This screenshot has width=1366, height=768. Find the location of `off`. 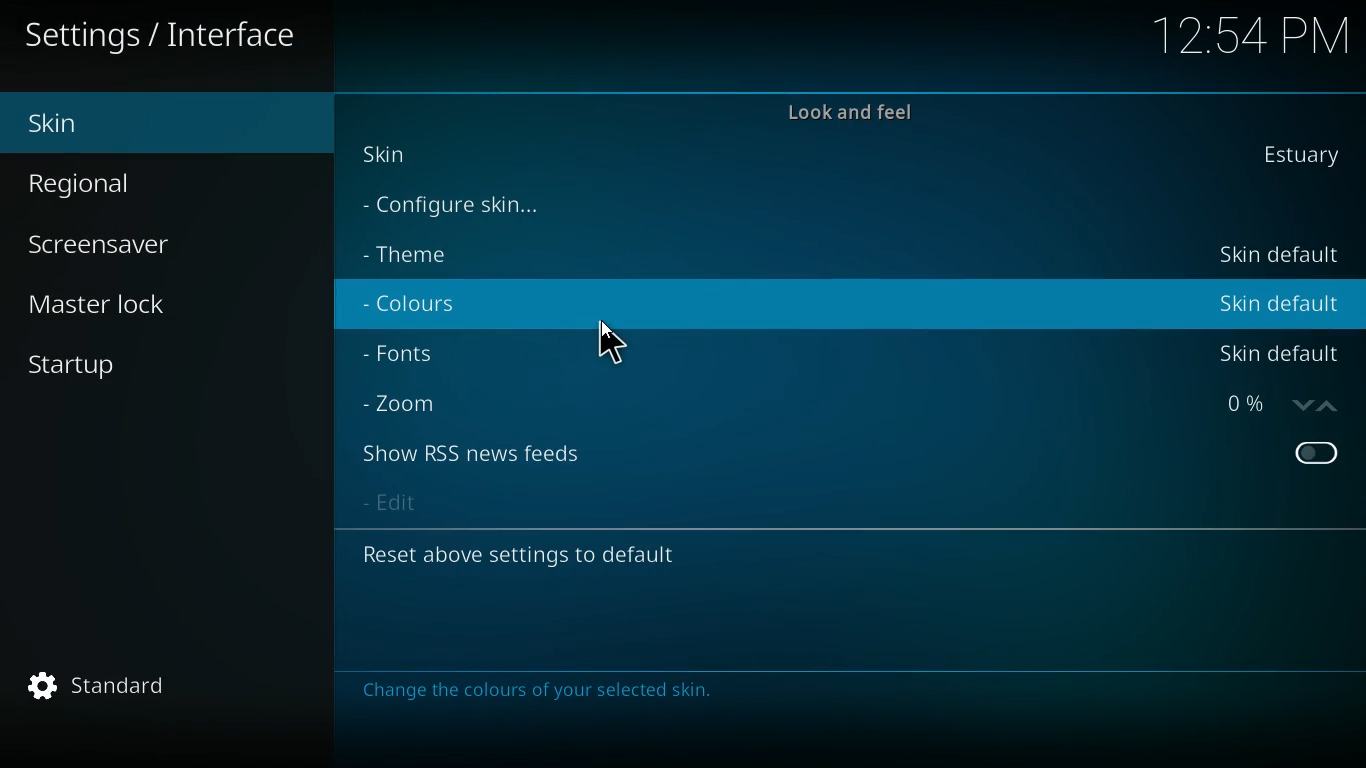

off is located at coordinates (1316, 453).